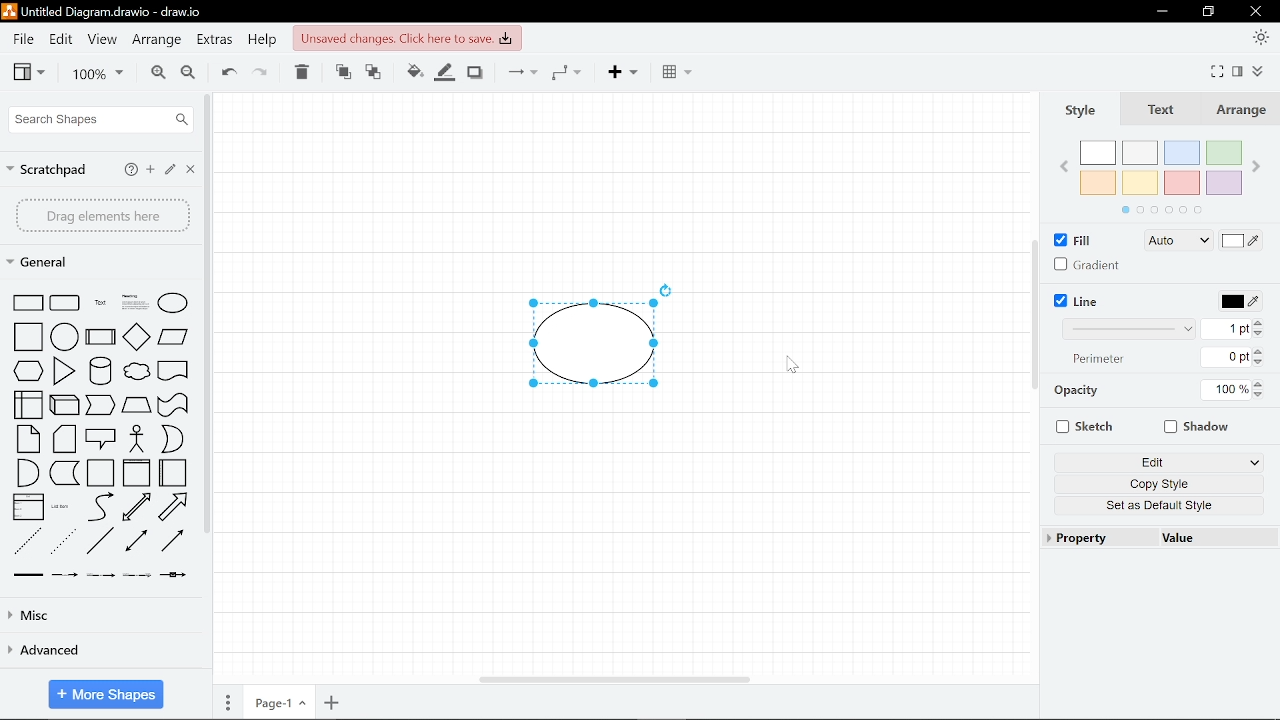 Image resolution: width=1280 pixels, height=720 pixels. What do you see at coordinates (1189, 538) in the screenshot?
I see `value` at bounding box center [1189, 538].